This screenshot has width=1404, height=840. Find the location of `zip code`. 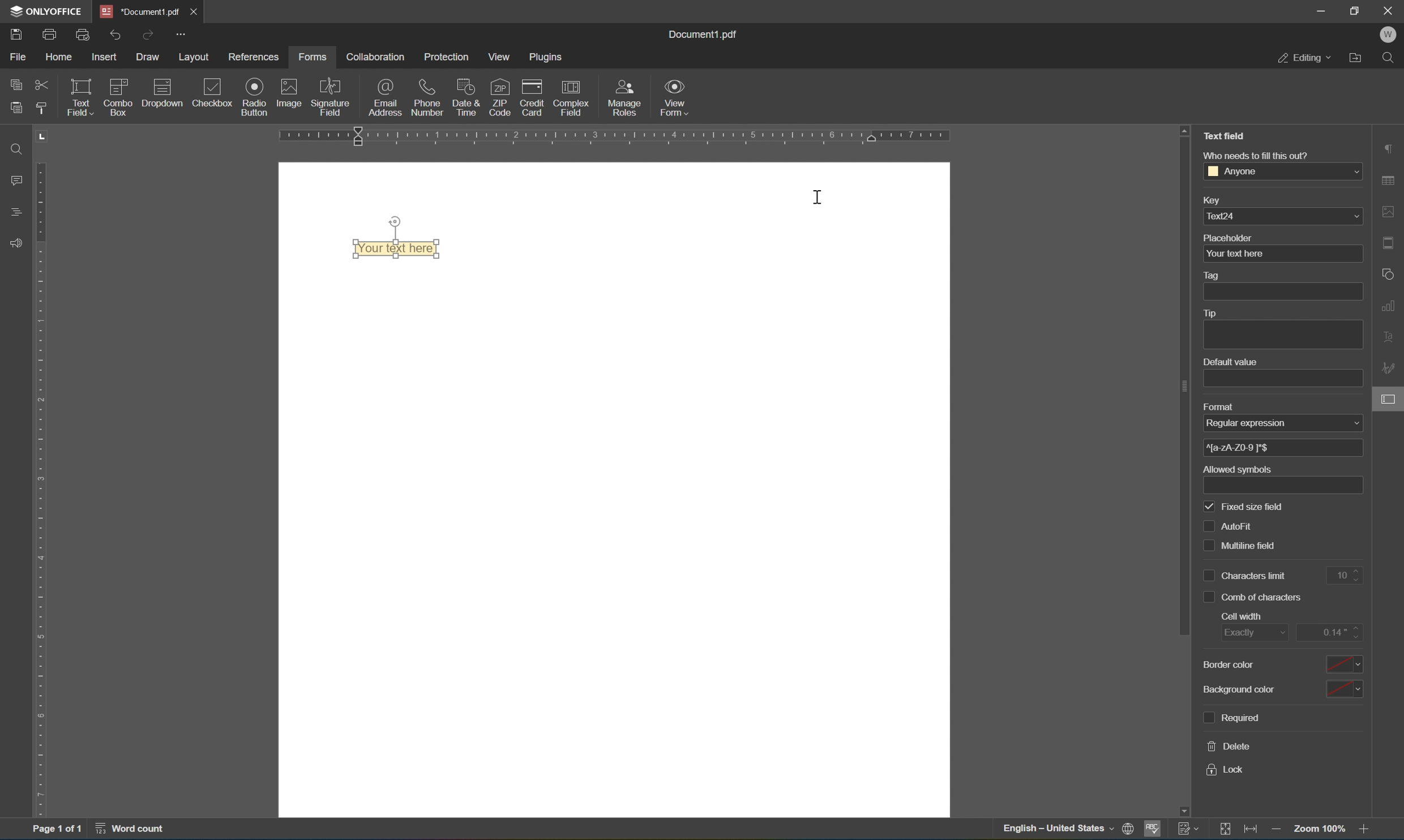

zip code is located at coordinates (500, 97).